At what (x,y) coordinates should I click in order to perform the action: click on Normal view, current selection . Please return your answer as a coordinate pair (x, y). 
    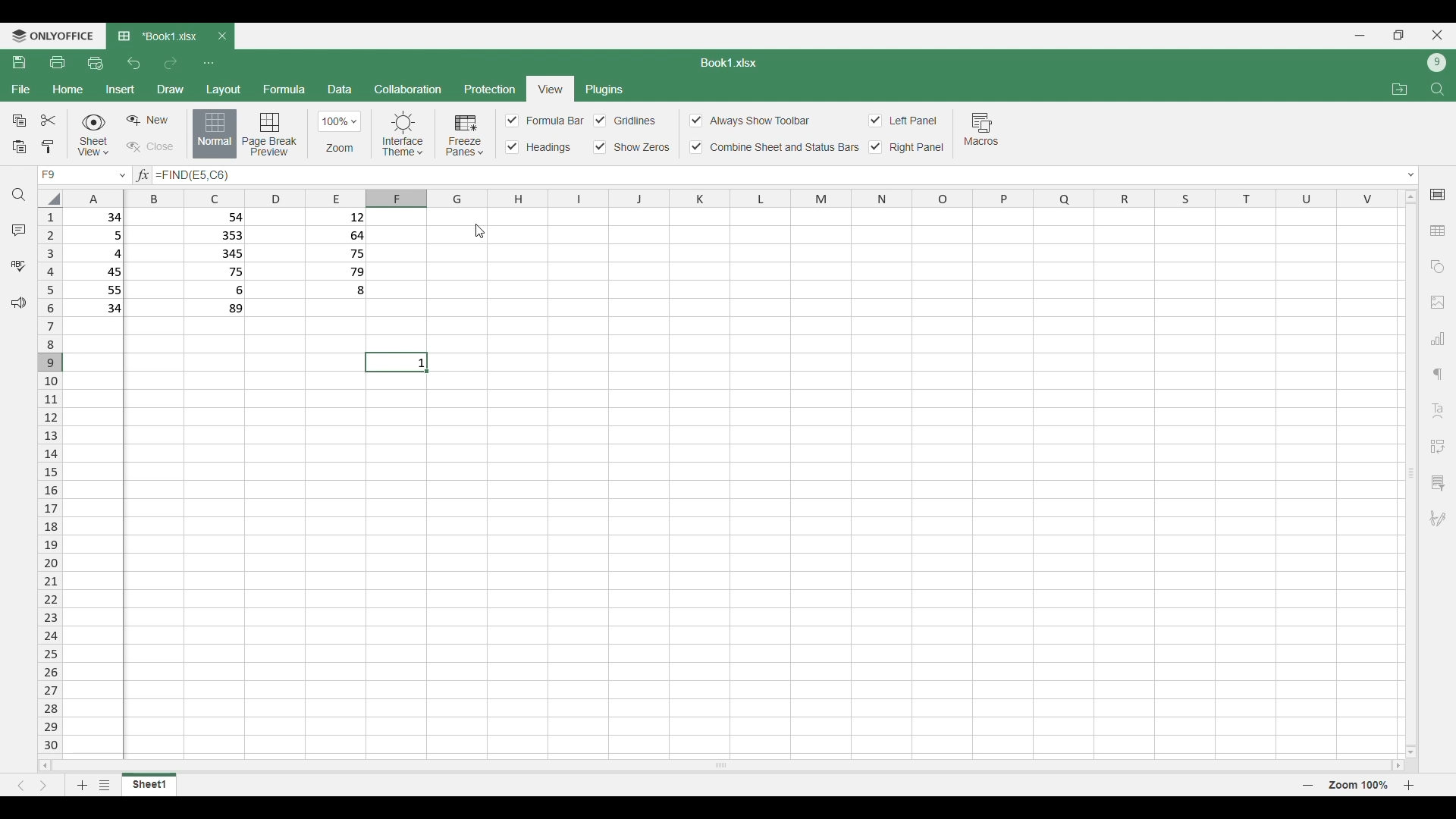
    Looking at the image, I should click on (215, 134).